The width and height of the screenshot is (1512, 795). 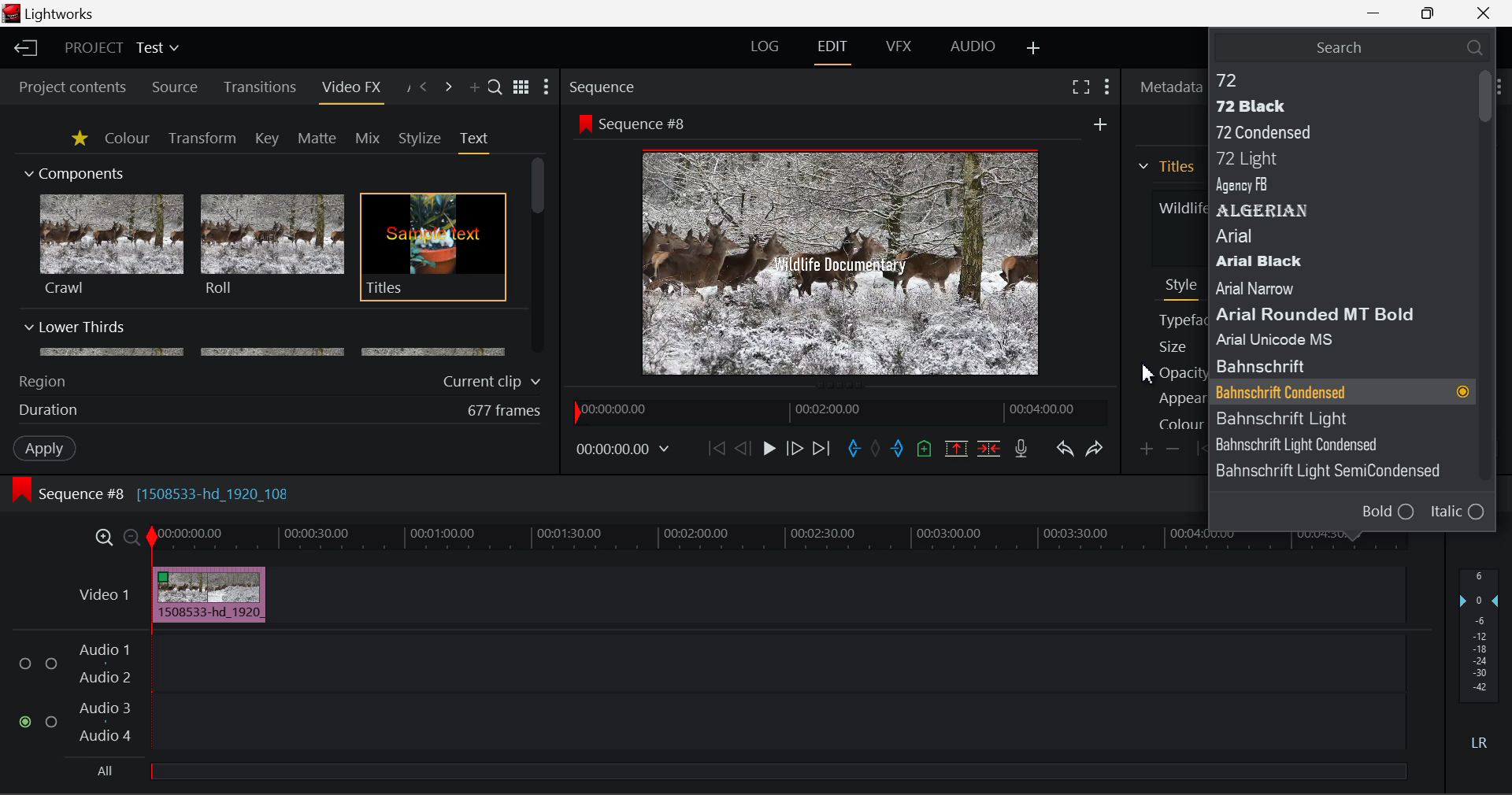 What do you see at coordinates (836, 52) in the screenshot?
I see `EDIT Layout Open` at bounding box center [836, 52].